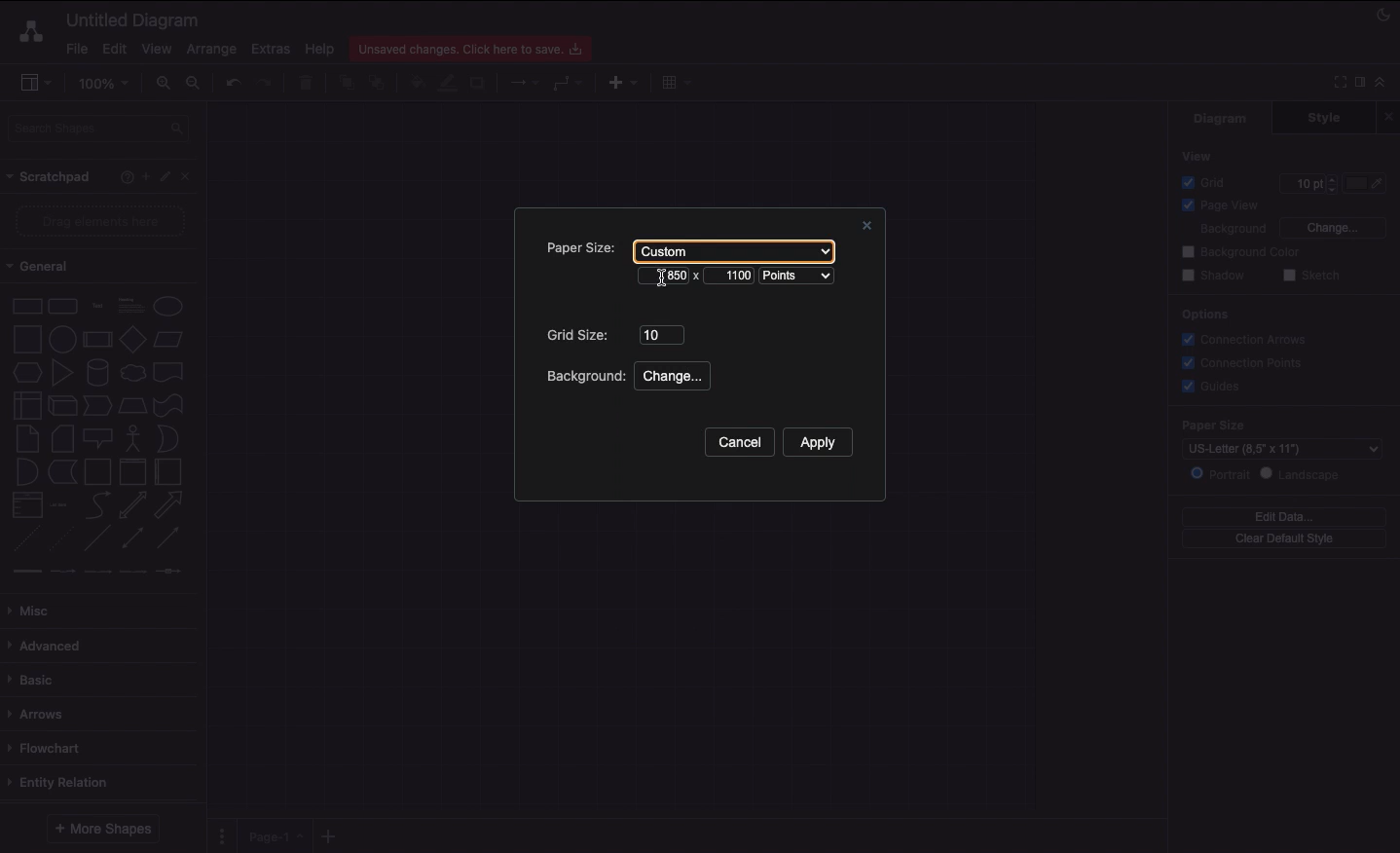 This screenshot has width=1400, height=853. I want to click on Horizontal container, so click(169, 471).